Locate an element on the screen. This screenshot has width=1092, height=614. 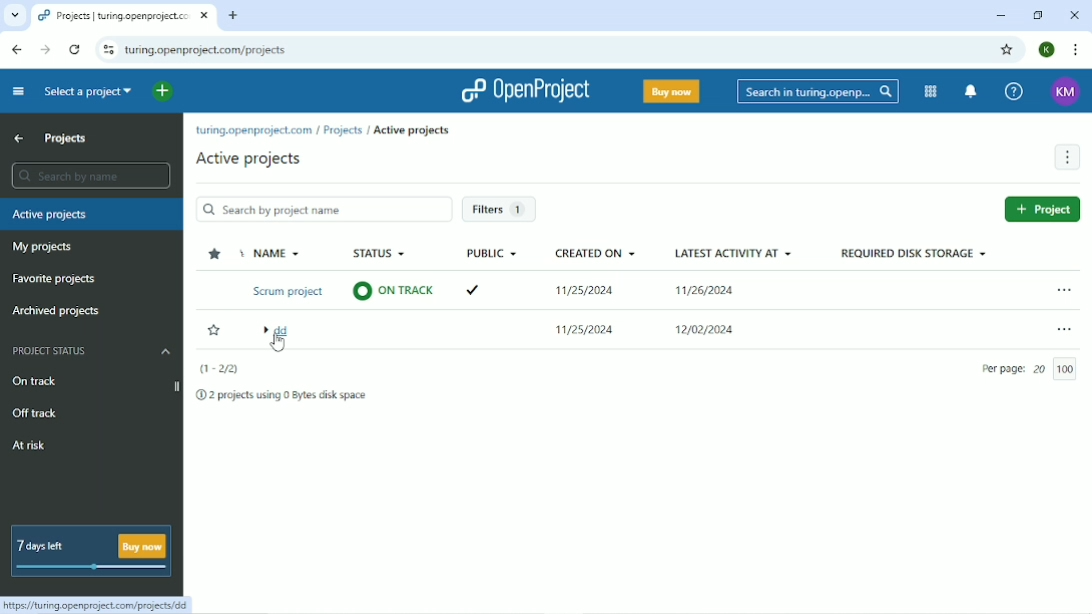
Back is located at coordinates (16, 50).